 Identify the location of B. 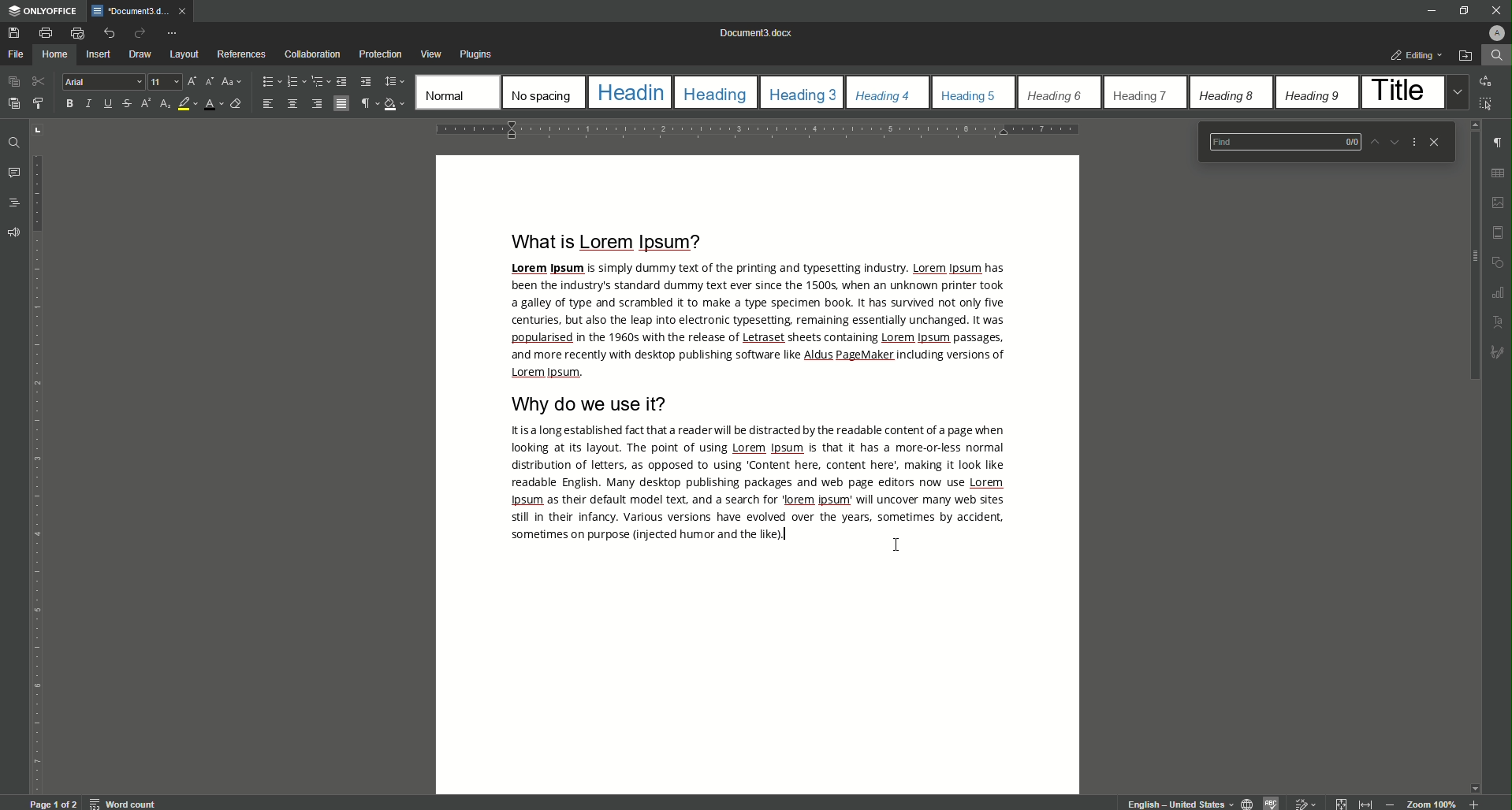
(67, 104).